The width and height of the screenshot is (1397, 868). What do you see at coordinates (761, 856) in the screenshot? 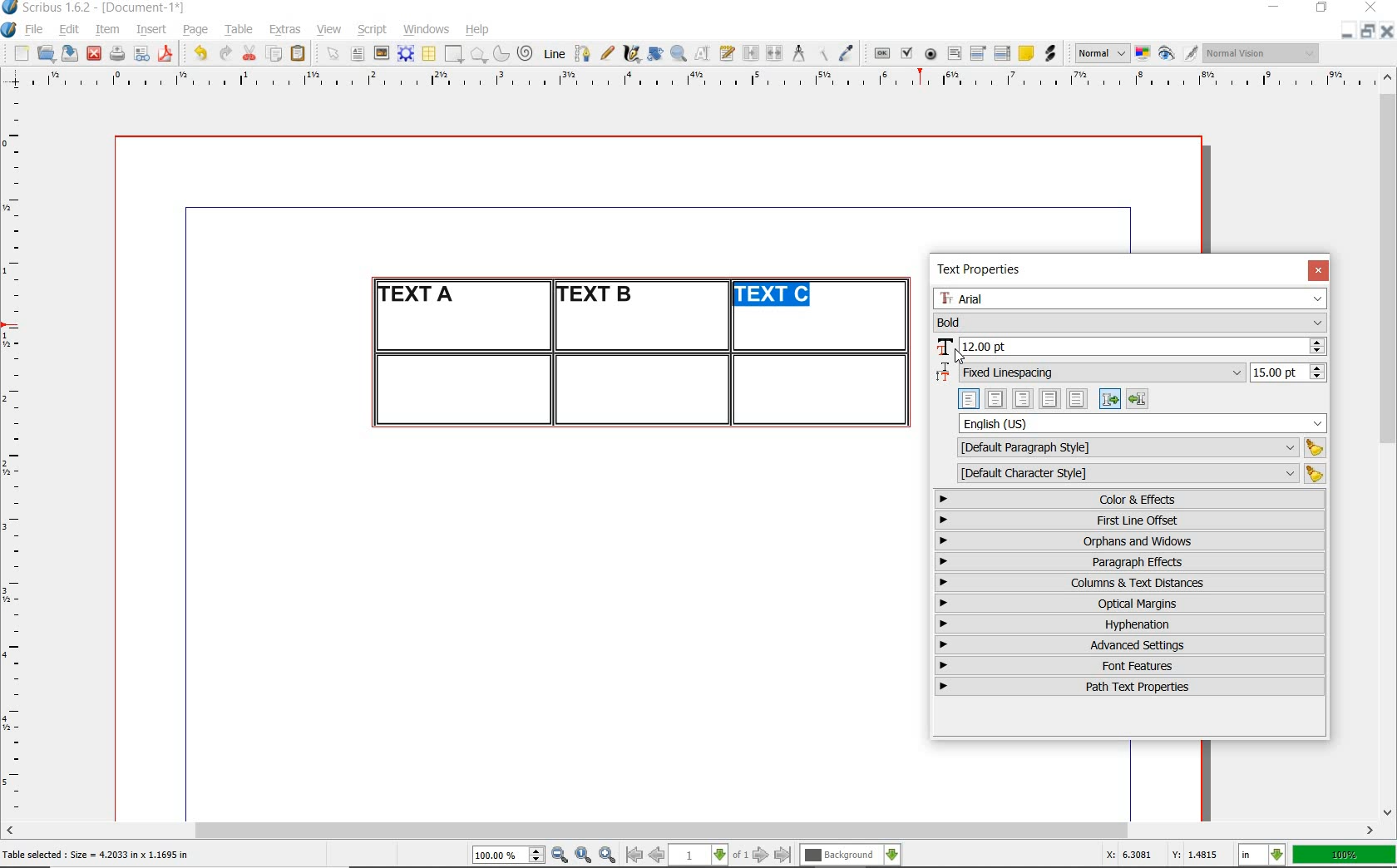
I see `go to next page` at bounding box center [761, 856].